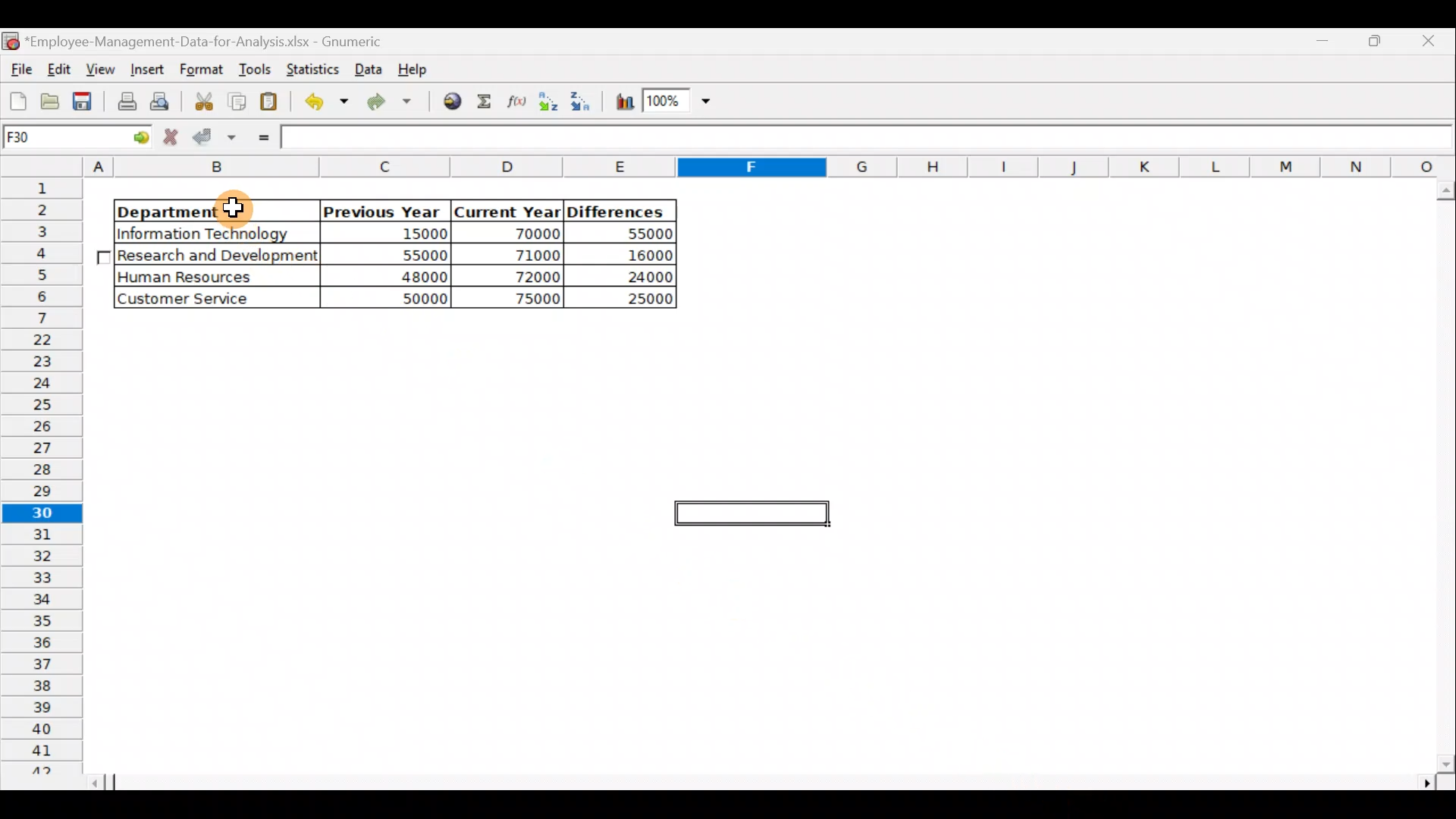 Image resolution: width=1456 pixels, height=819 pixels. Describe the element at coordinates (416, 73) in the screenshot. I see `Help` at that location.